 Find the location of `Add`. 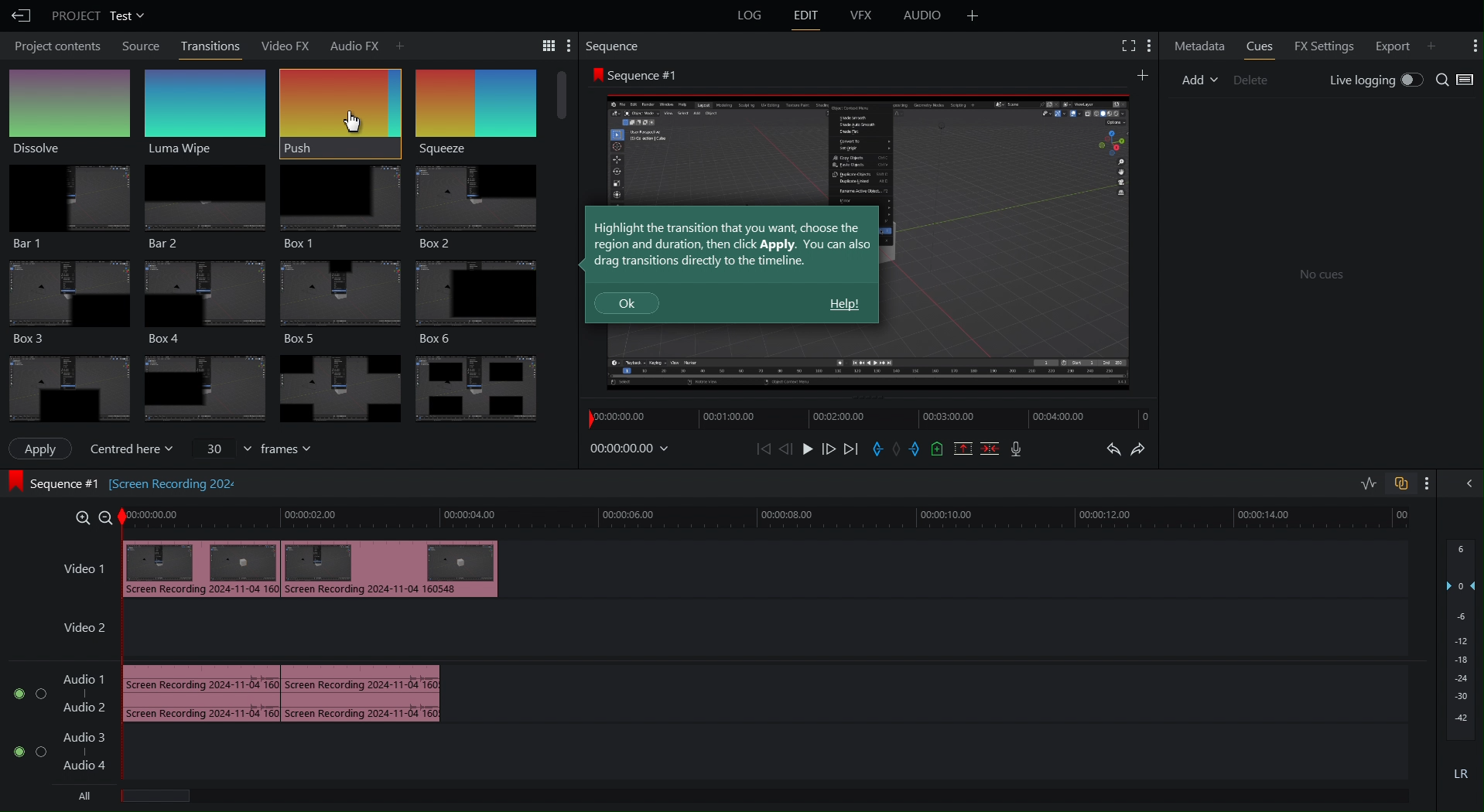

Add is located at coordinates (973, 15).